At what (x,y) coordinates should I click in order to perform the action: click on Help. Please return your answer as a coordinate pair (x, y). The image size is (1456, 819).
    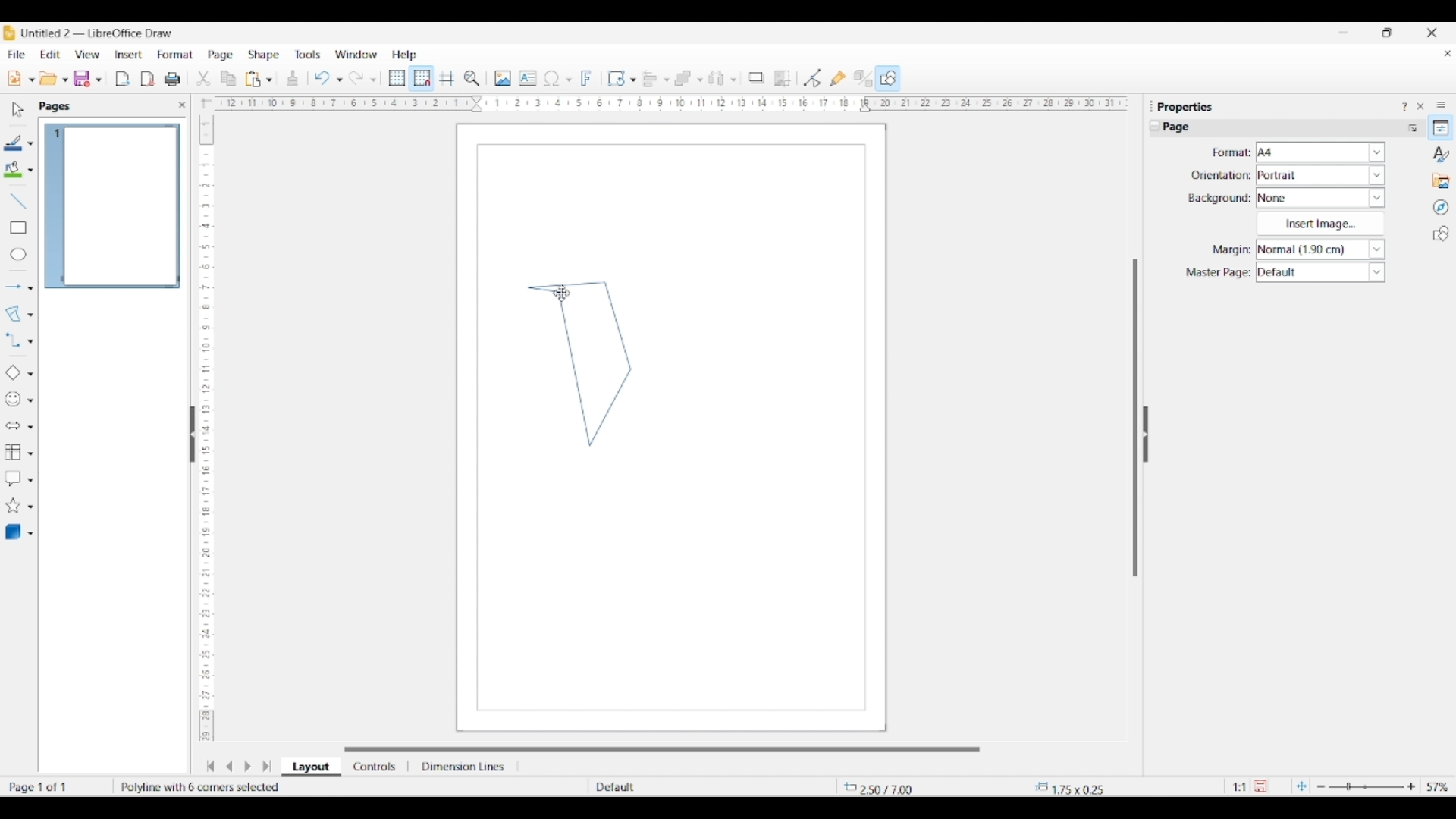
    Looking at the image, I should click on (405, 55).